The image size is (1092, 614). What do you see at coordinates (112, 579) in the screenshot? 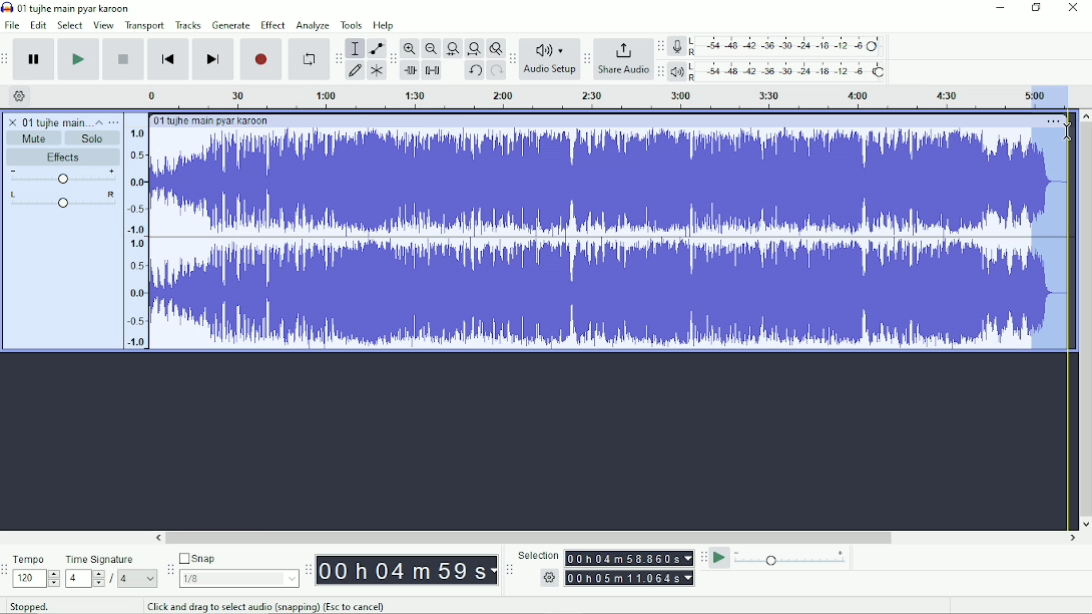
I see `/` at bounding box center [112, 579].